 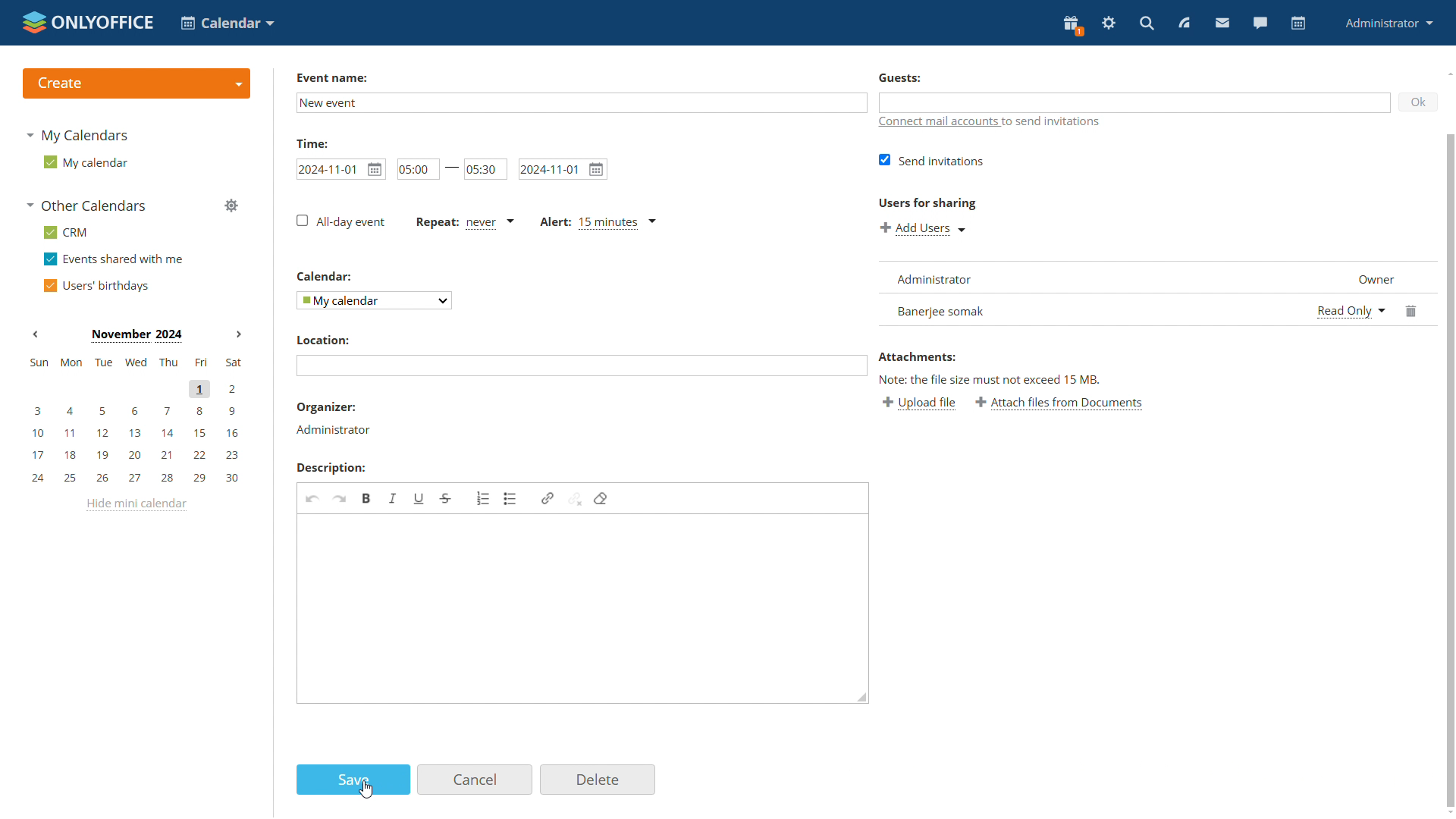 I want to click on Calendar, so click(x=322, y=276).